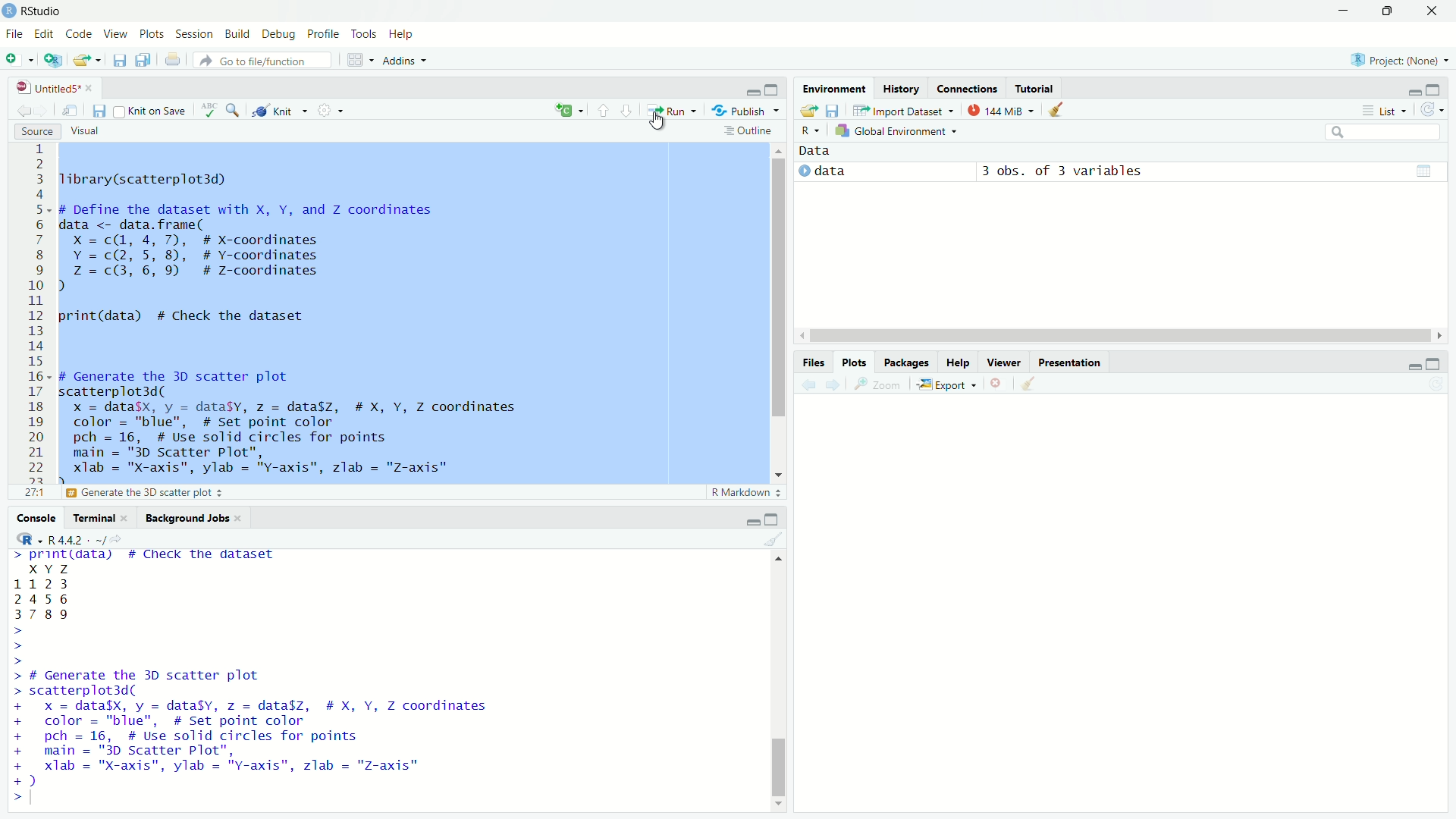  Describe the element at coordinates (86, 132) in the screenshot. I see `visual` at that location.